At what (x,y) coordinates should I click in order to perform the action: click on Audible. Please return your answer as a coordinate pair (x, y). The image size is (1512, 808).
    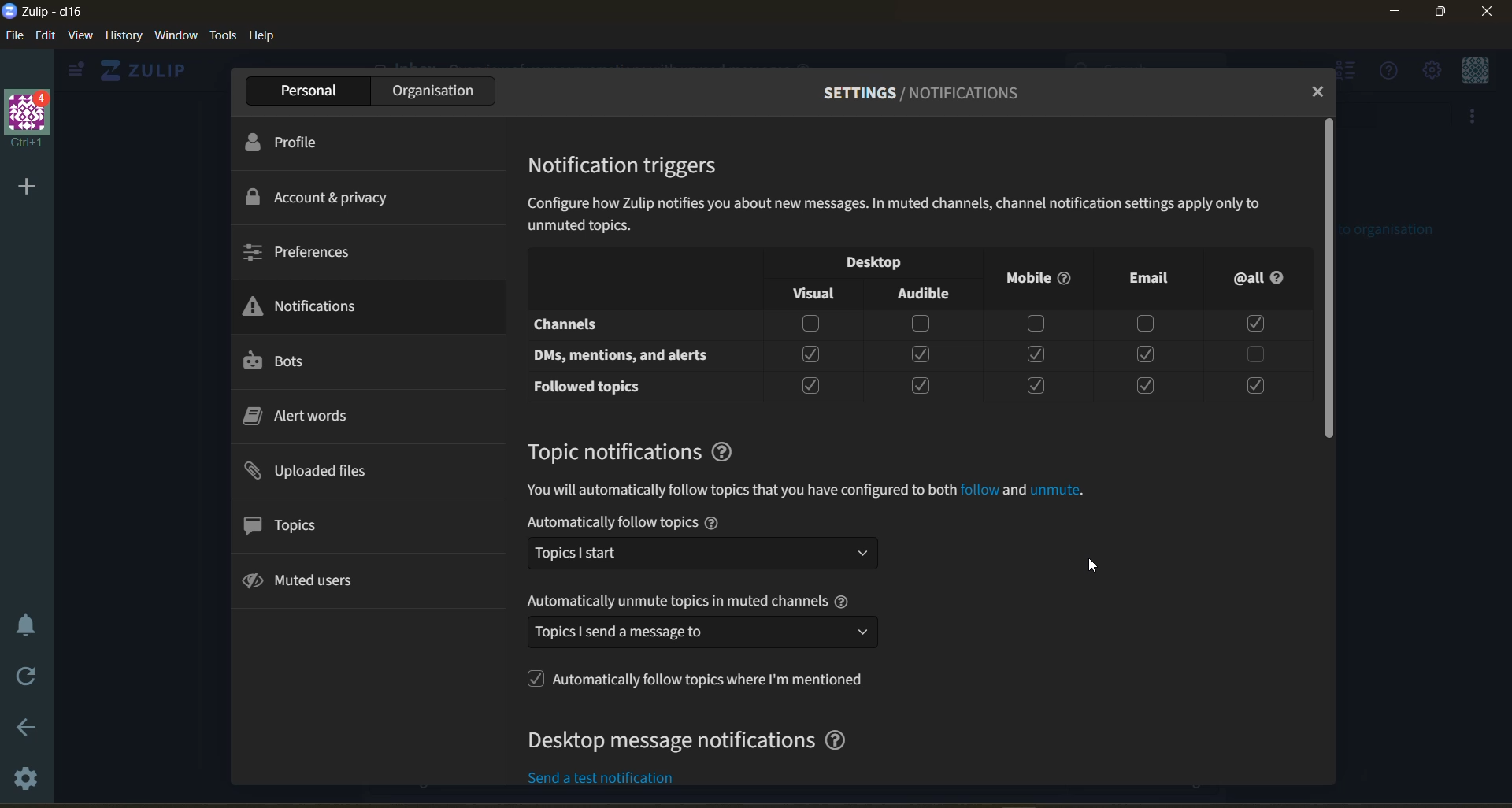
    Looking at the image, I should click on (927, 295).